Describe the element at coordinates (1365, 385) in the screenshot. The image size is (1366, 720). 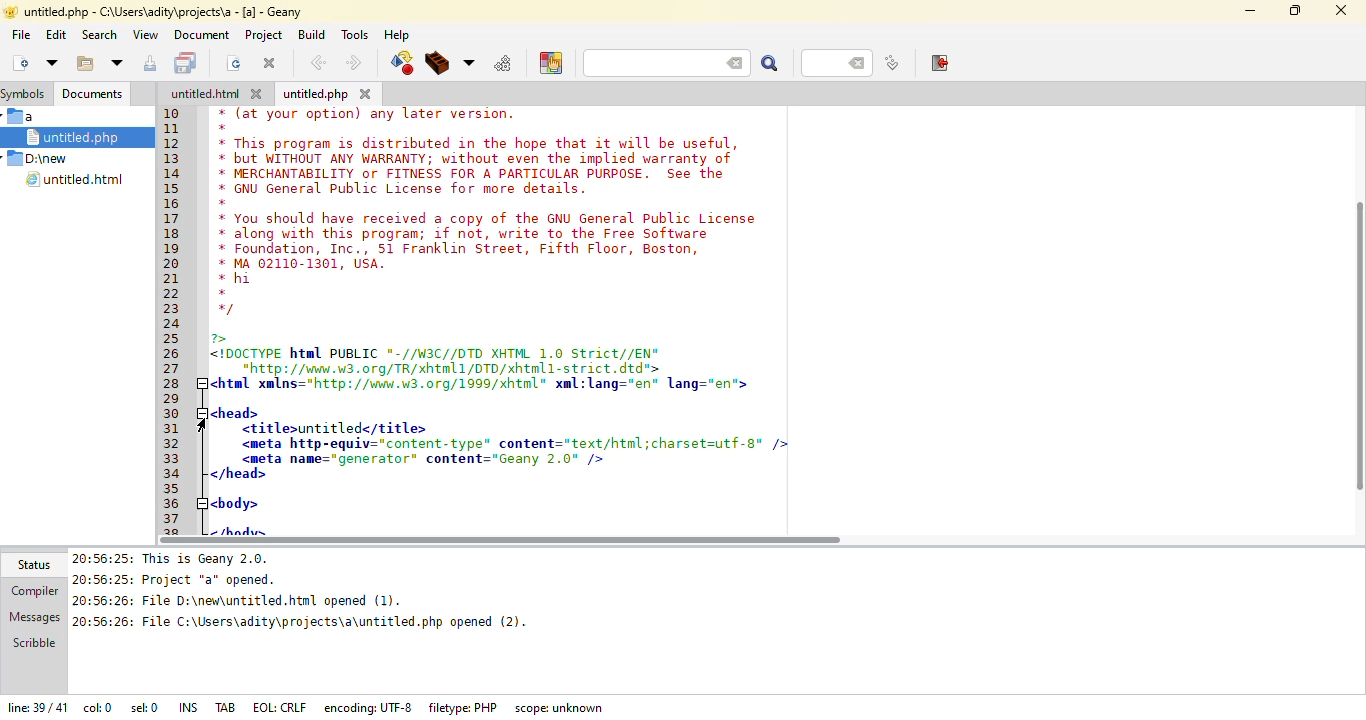
I see `vertical scroll bar` at that location.